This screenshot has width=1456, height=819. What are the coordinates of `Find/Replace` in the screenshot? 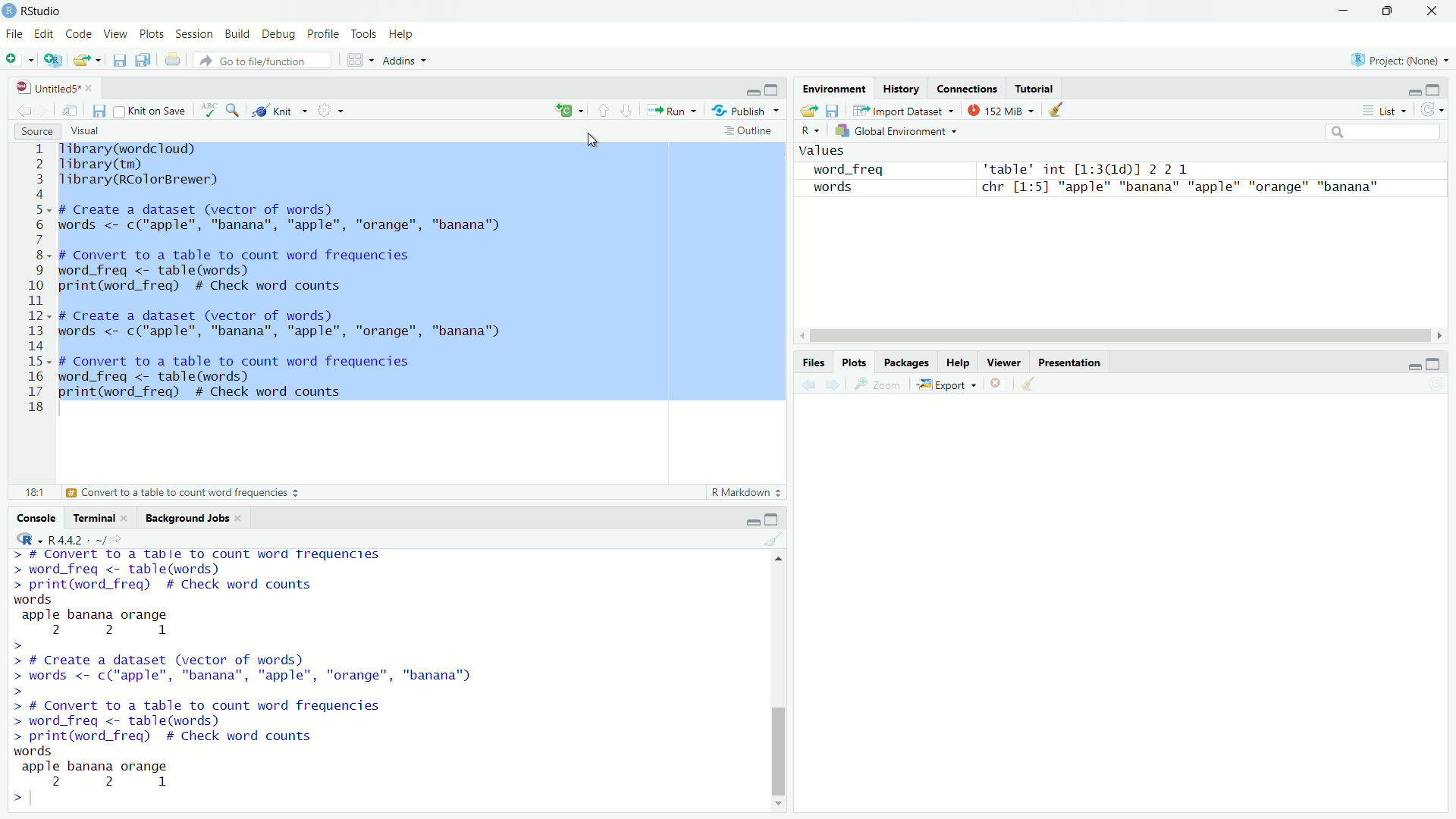 It's located at (231, 109).